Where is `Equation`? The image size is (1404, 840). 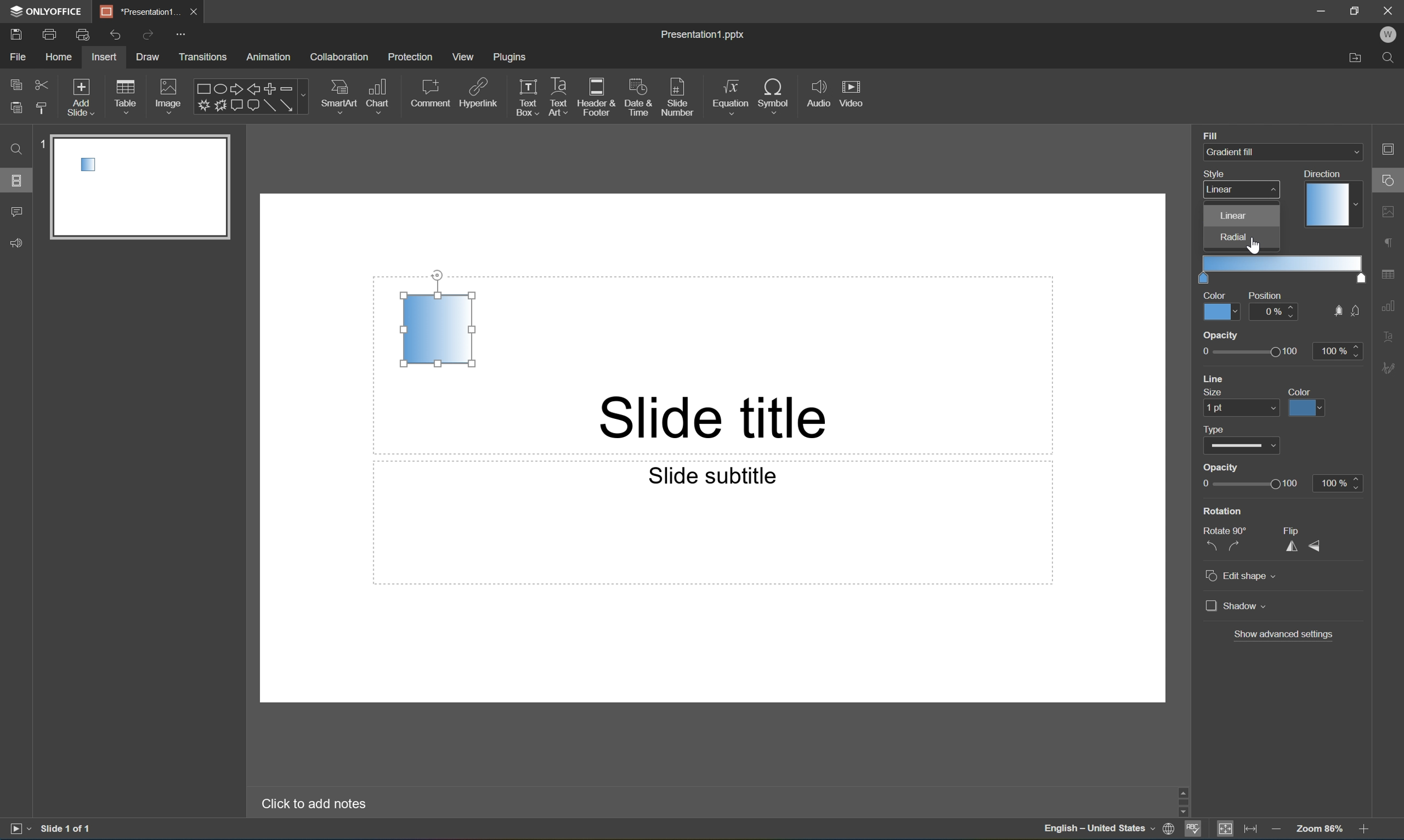 Equation is located at coordinates (731, 93).